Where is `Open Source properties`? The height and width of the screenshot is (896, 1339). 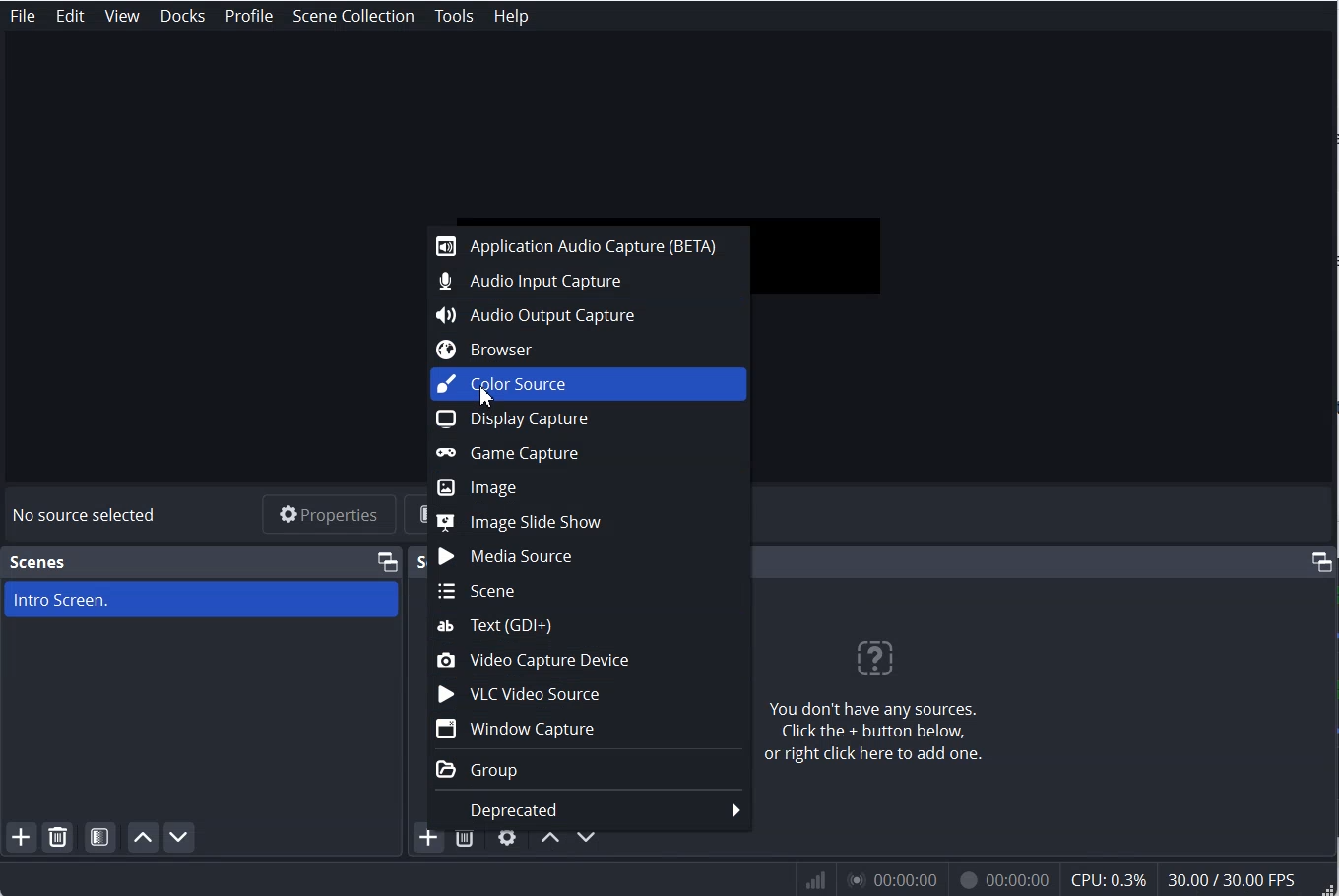 Open Source properties is located at coordinates (506, 841).